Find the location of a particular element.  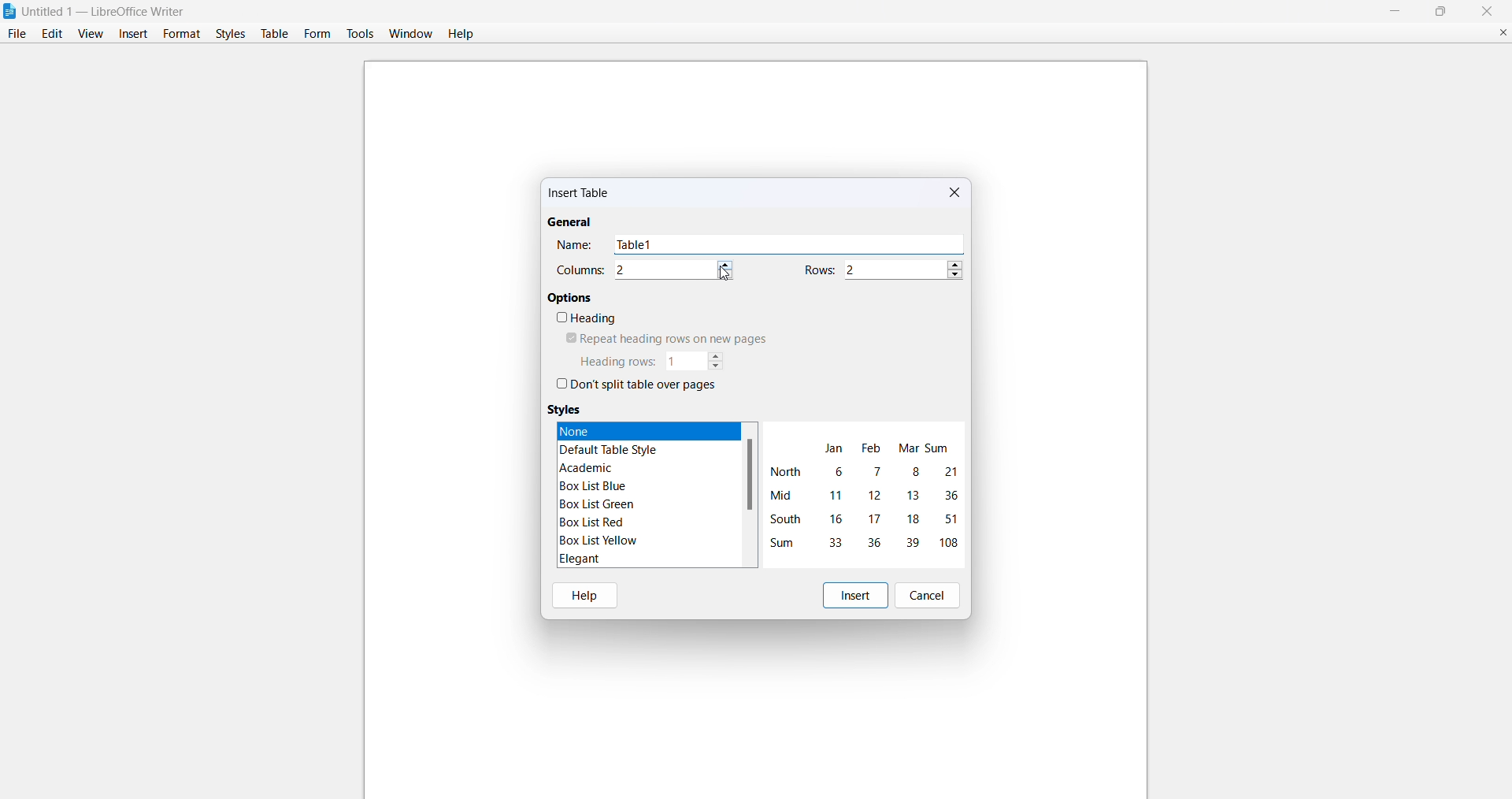

decrease heading rows is located at coordinates (717, 367).